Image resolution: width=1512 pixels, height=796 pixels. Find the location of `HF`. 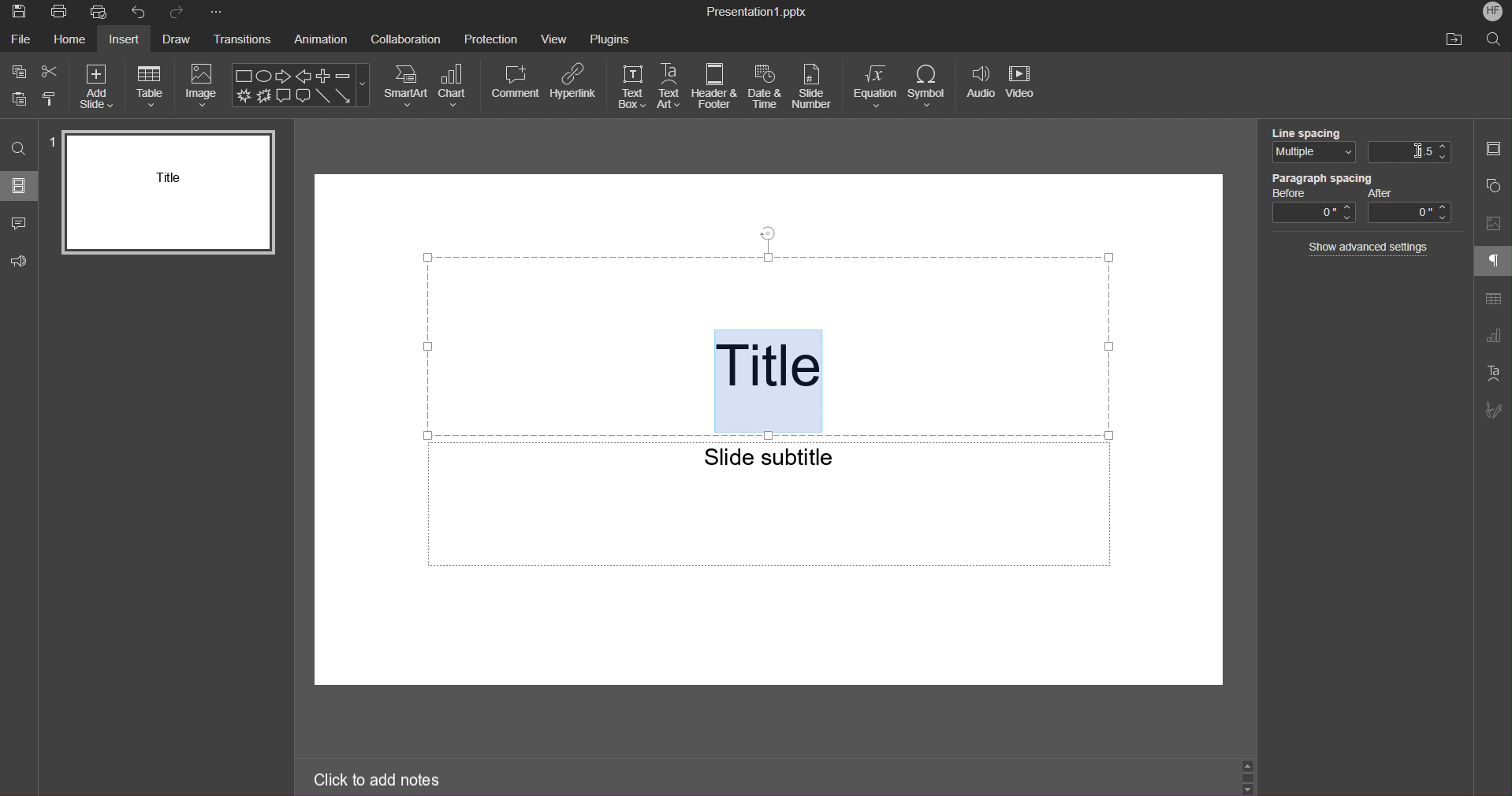

HF is located at coordinates (1489, 12).